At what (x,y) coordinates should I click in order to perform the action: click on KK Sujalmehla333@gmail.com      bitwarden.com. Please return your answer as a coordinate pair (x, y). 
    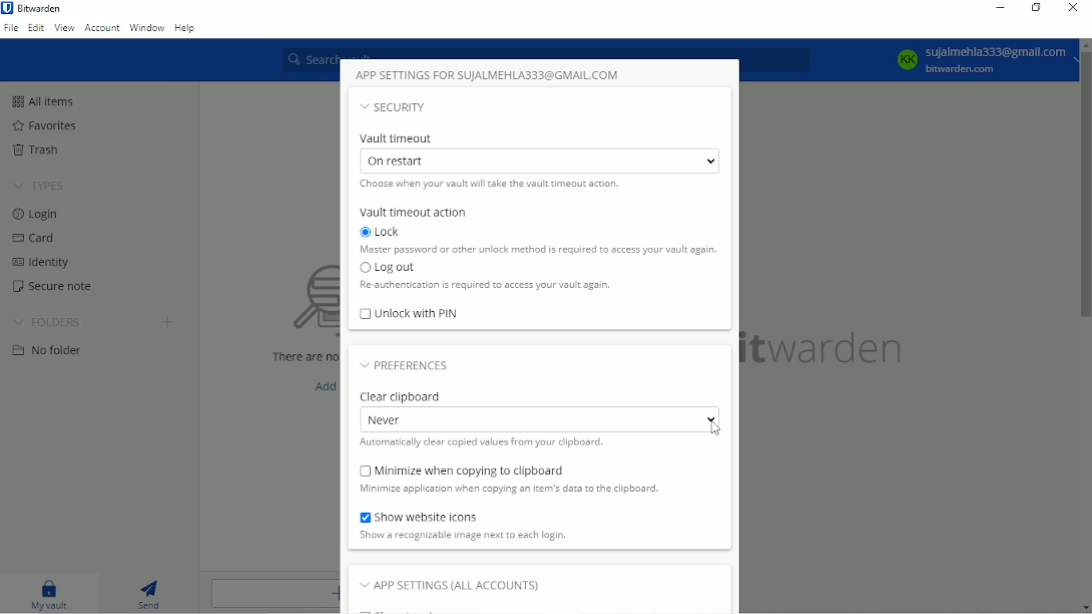
    Looking at the image, I should click on (982, 60).